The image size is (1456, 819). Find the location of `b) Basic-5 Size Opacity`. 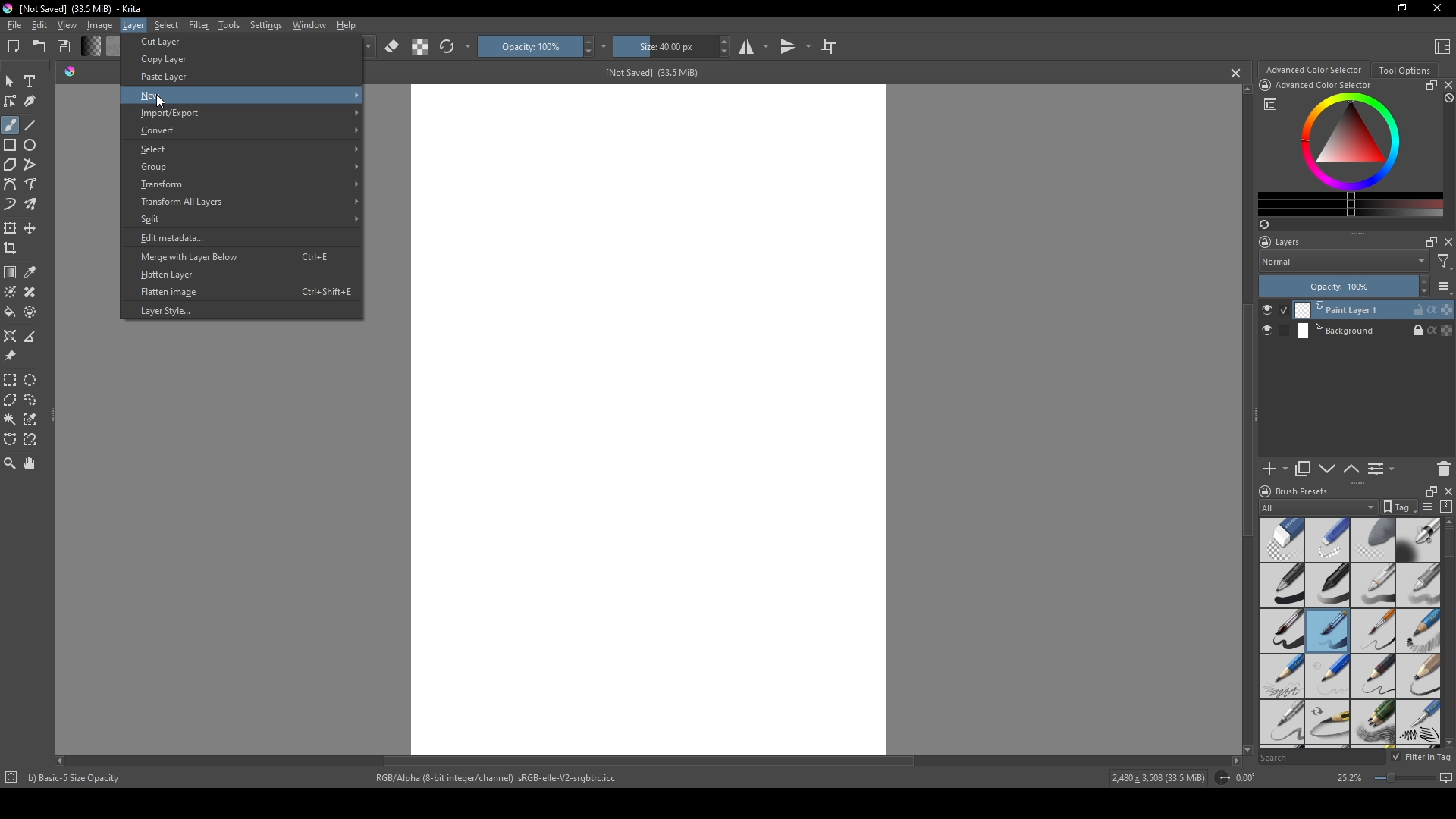

b) Basic-5 Size Opacity is located at coordinates (77, 778).